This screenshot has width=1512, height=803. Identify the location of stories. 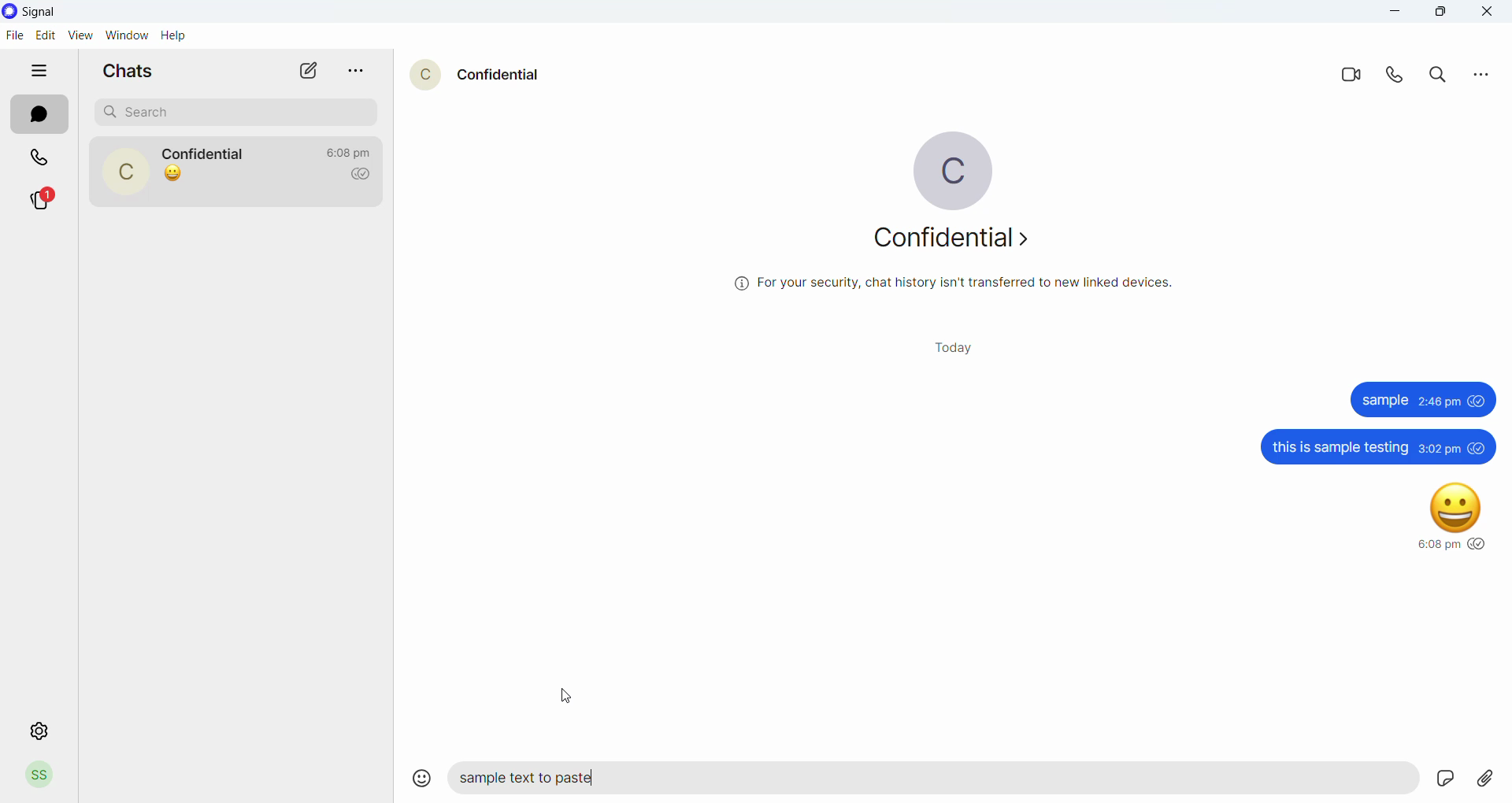
(50, 198).